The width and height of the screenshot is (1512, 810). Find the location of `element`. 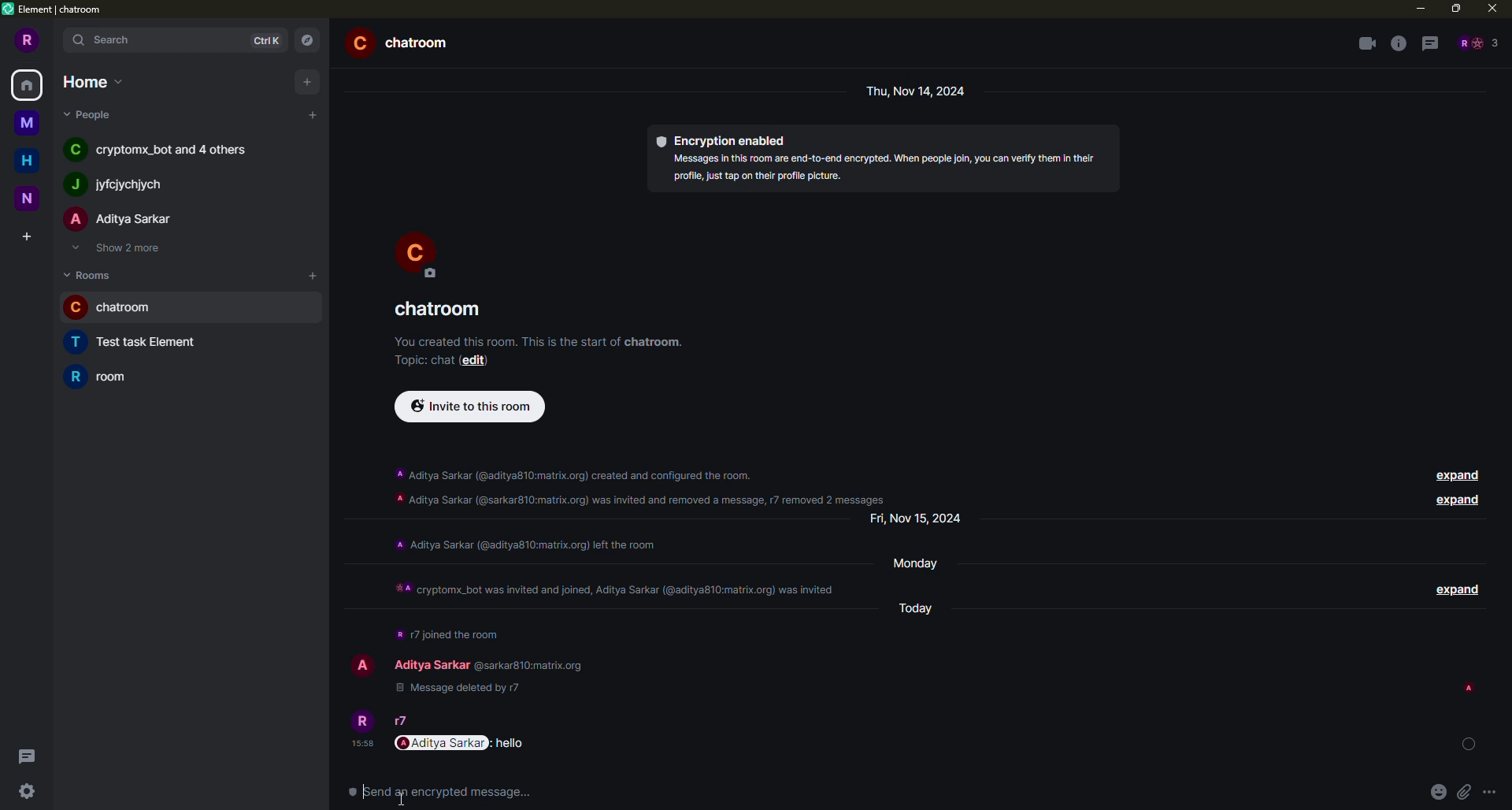

element is located at coordinates (57, 11).